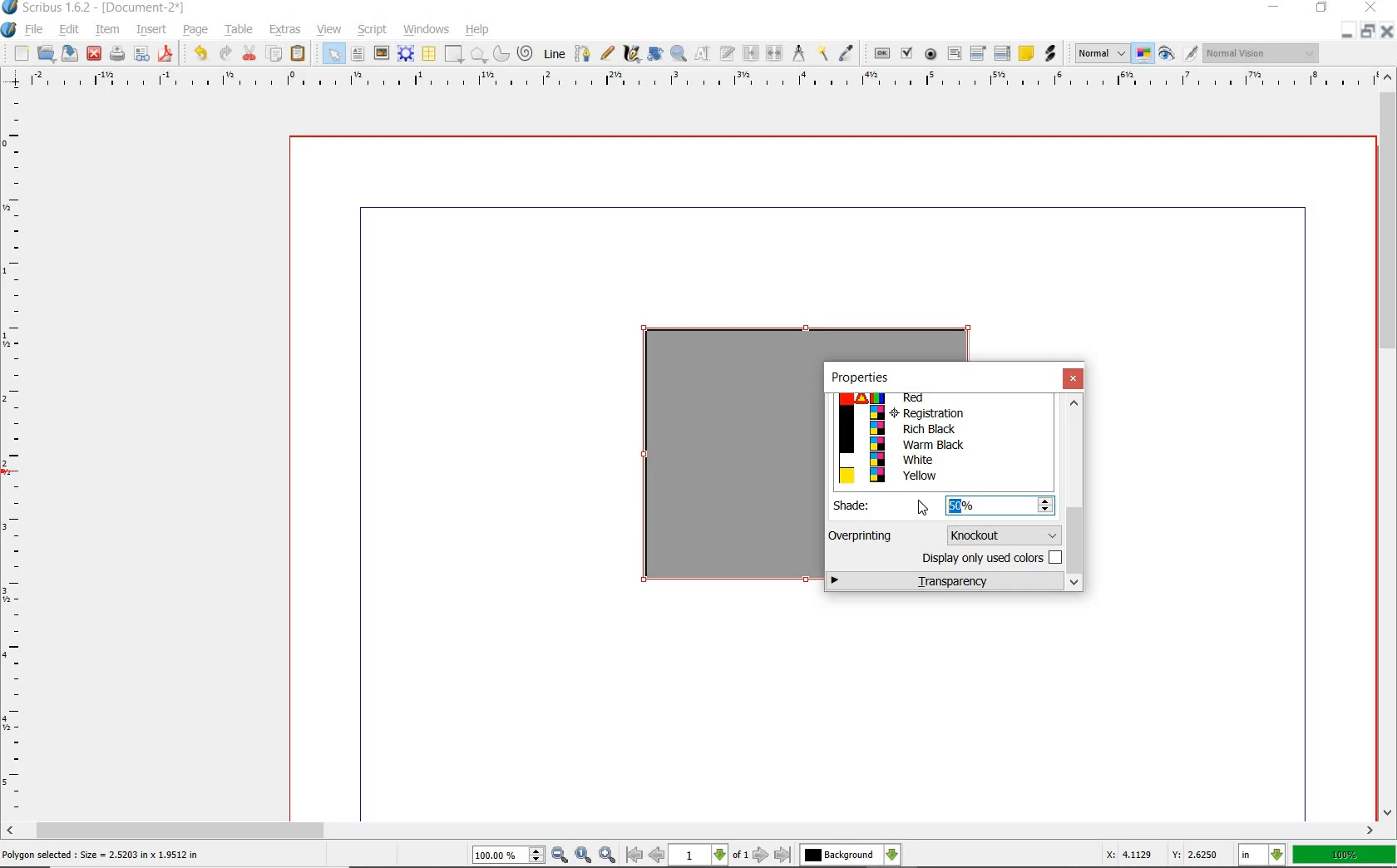 Image resolution: width=1397 pixels, height=868 pixels. Describe the element at coordinates (69, 55) in the screenshot. I see `save` at that location.